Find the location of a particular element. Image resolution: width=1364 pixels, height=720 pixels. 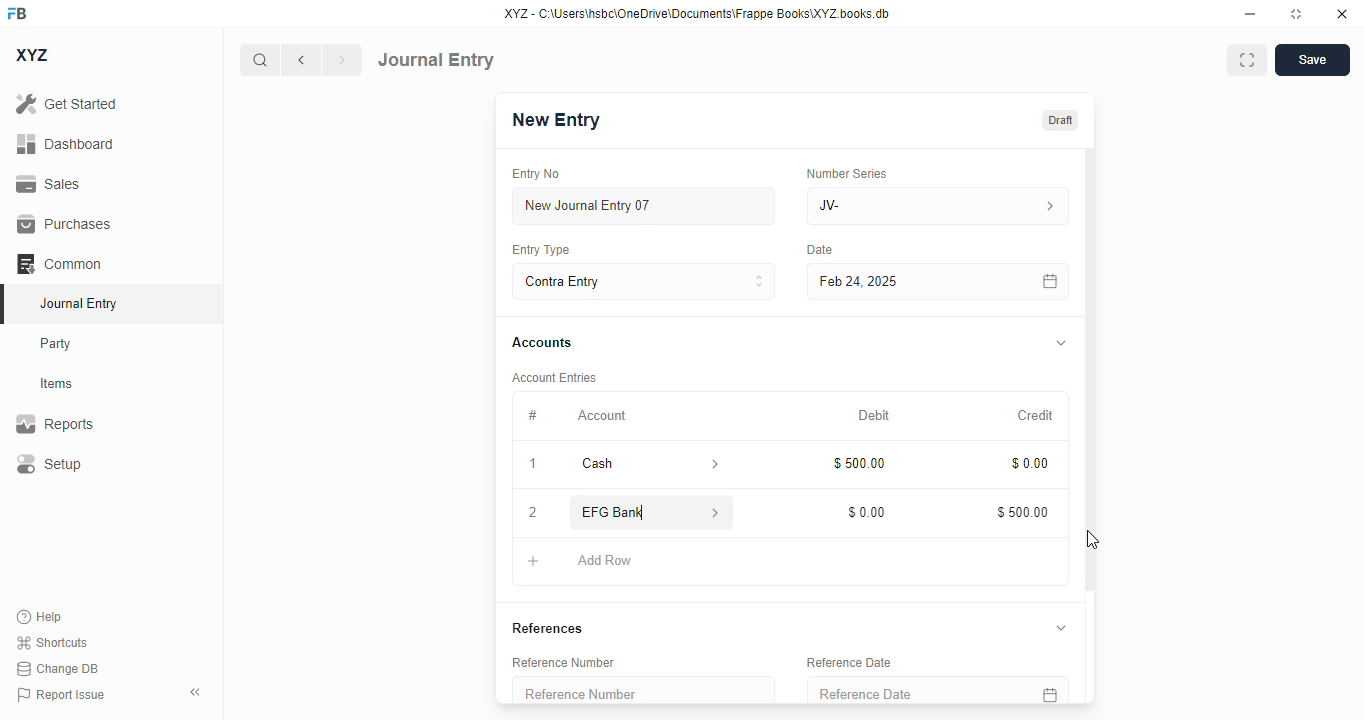

account information is located at coordinates (712, 464).